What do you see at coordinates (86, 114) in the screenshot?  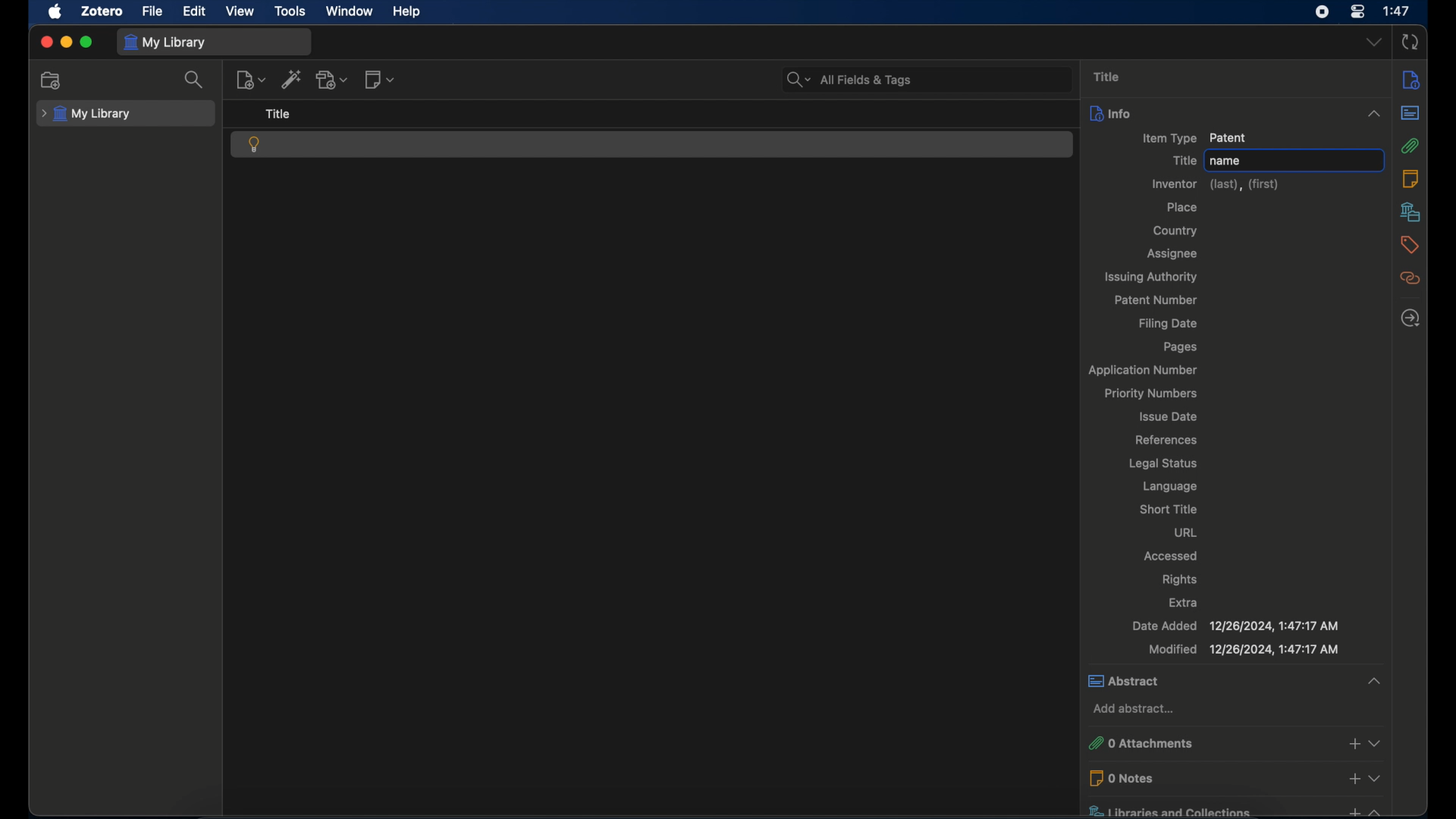 I see `my library` at bounding box center [86, 114].